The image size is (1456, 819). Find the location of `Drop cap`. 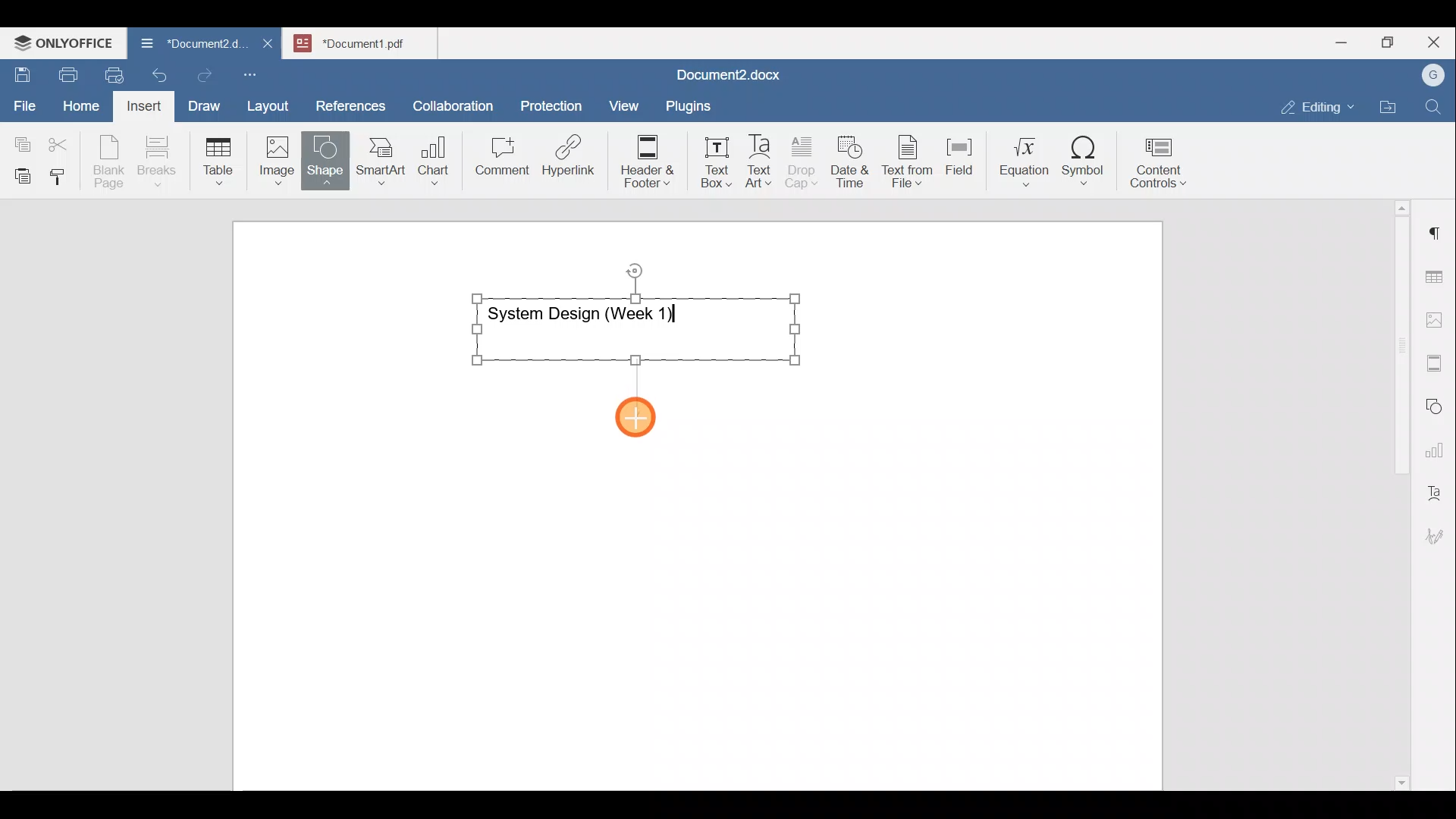

Drop cap is located at coordinates (805, 160).